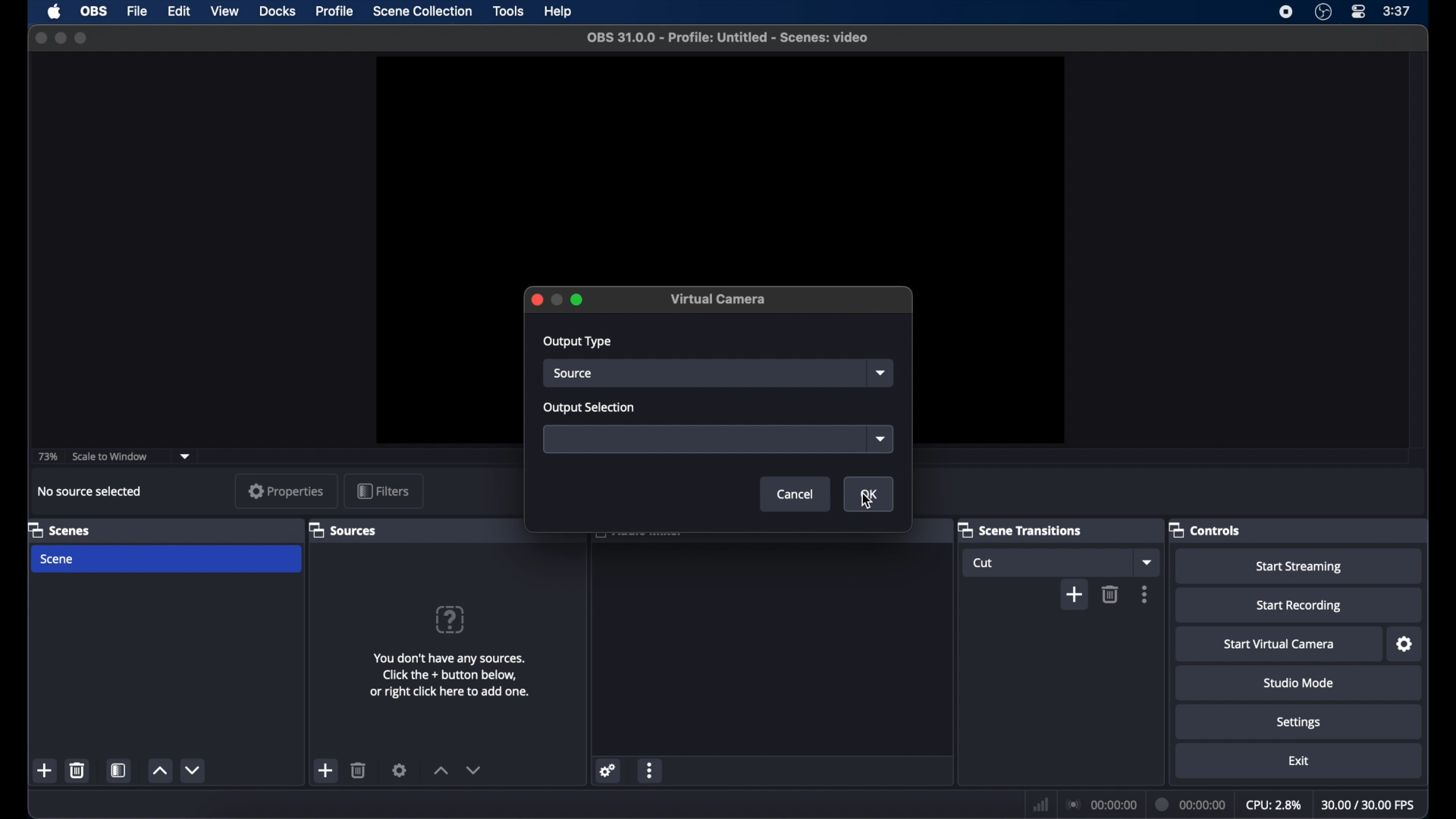 The image size is (1456, 819). I want to click on close, so click(40, 38).